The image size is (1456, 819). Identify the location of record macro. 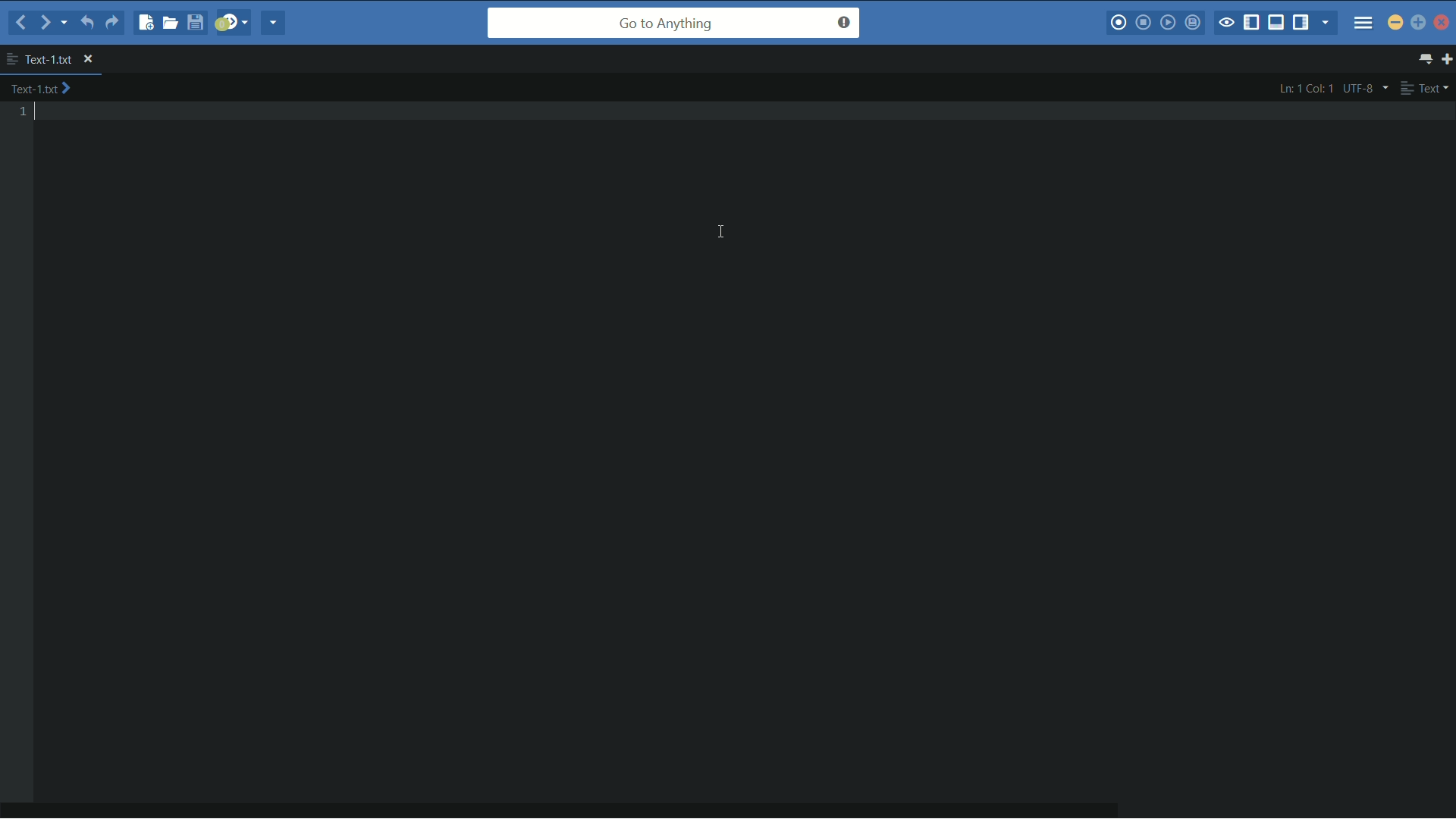
(1118, 24).